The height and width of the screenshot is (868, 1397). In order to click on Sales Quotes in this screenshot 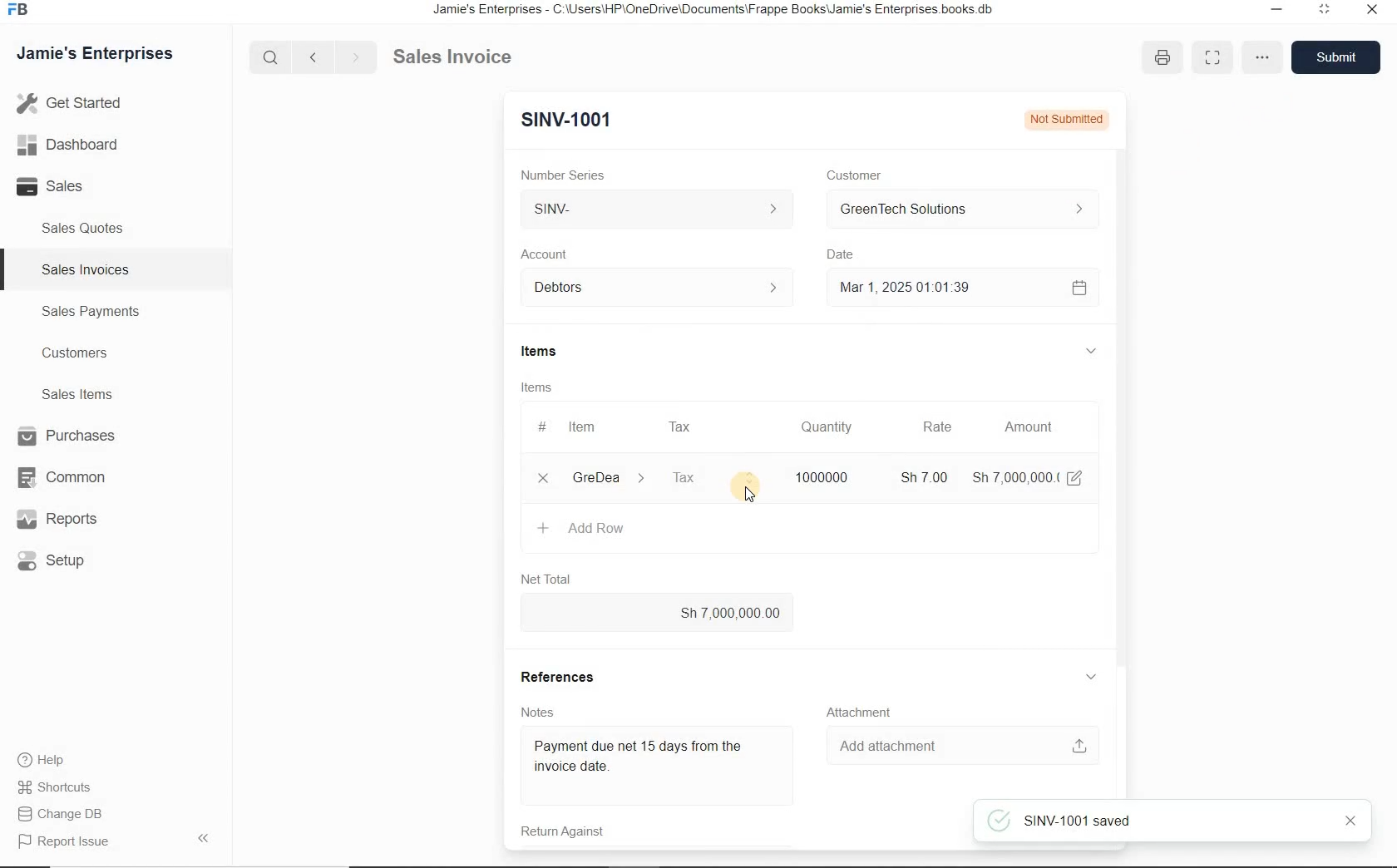, I will do `click(84, 231)`.